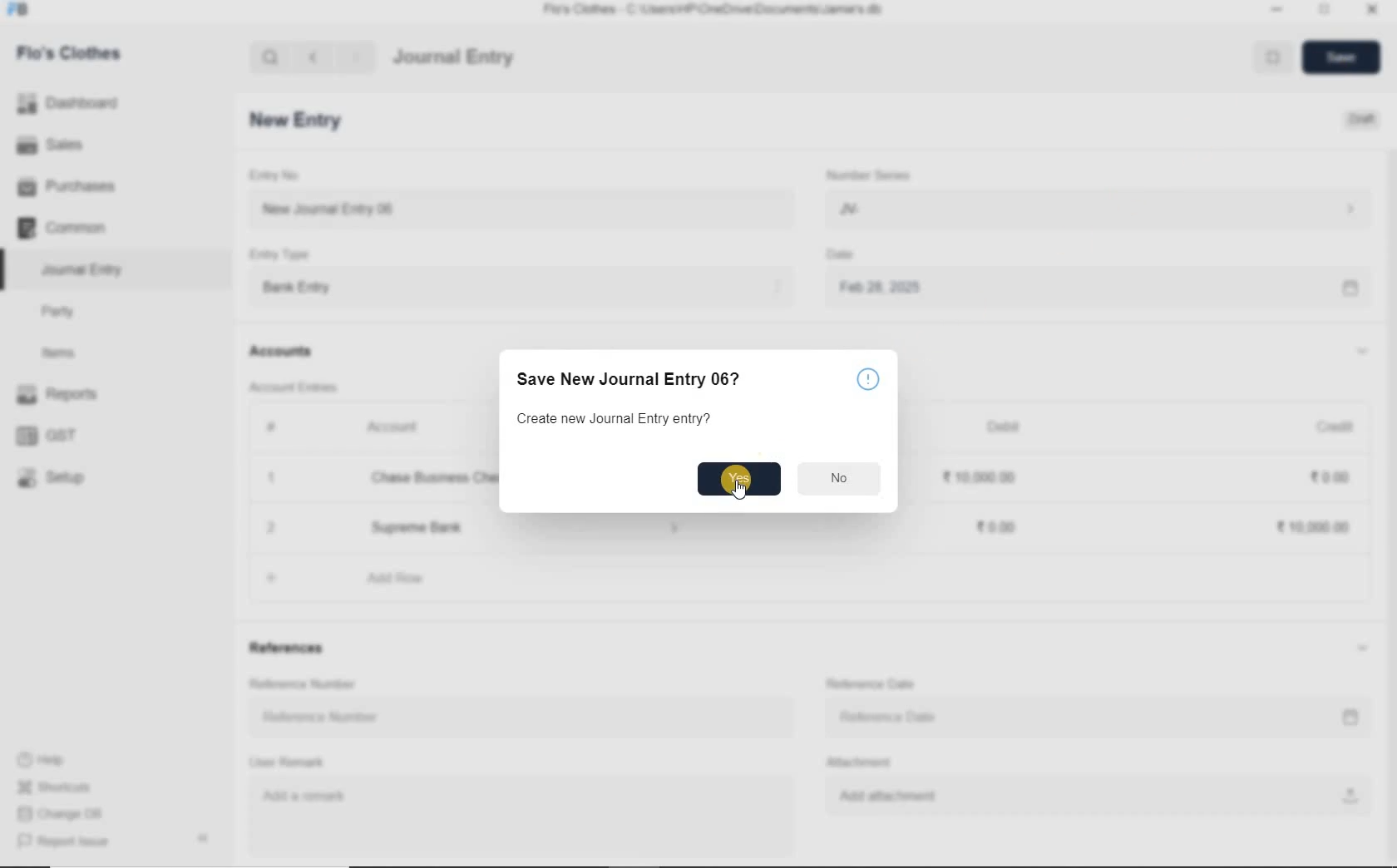 Image resolution: width=1397 pixels, height=868 pixels. I want to click on cursor, so click(739, 491).